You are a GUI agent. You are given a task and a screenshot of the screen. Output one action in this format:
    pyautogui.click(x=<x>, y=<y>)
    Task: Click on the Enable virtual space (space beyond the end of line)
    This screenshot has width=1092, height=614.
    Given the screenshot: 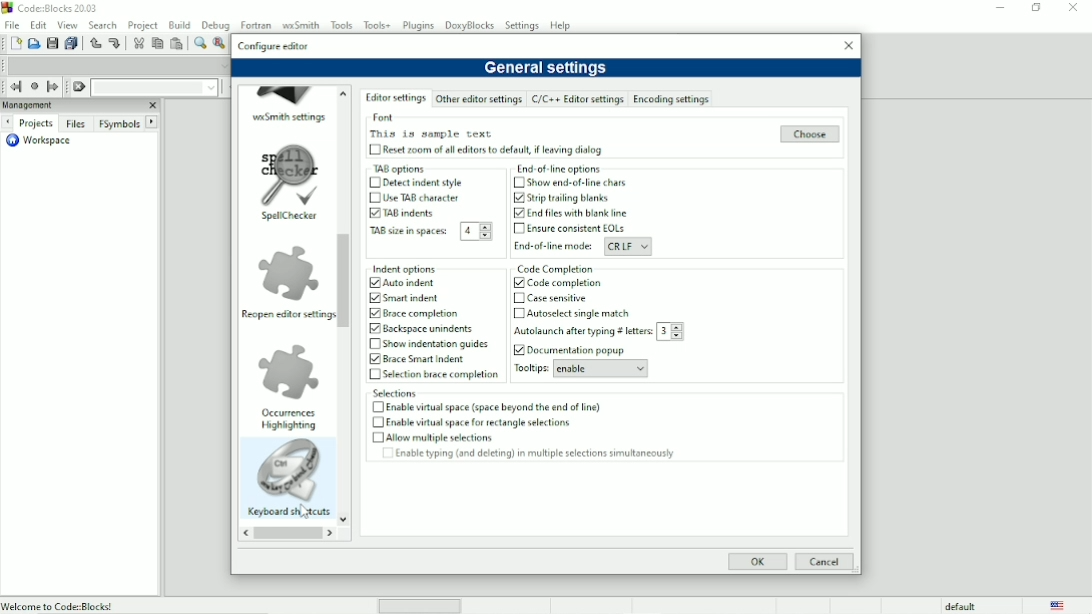 What is the action you would take?
    pyautogui.click(x=495, y=407)
    